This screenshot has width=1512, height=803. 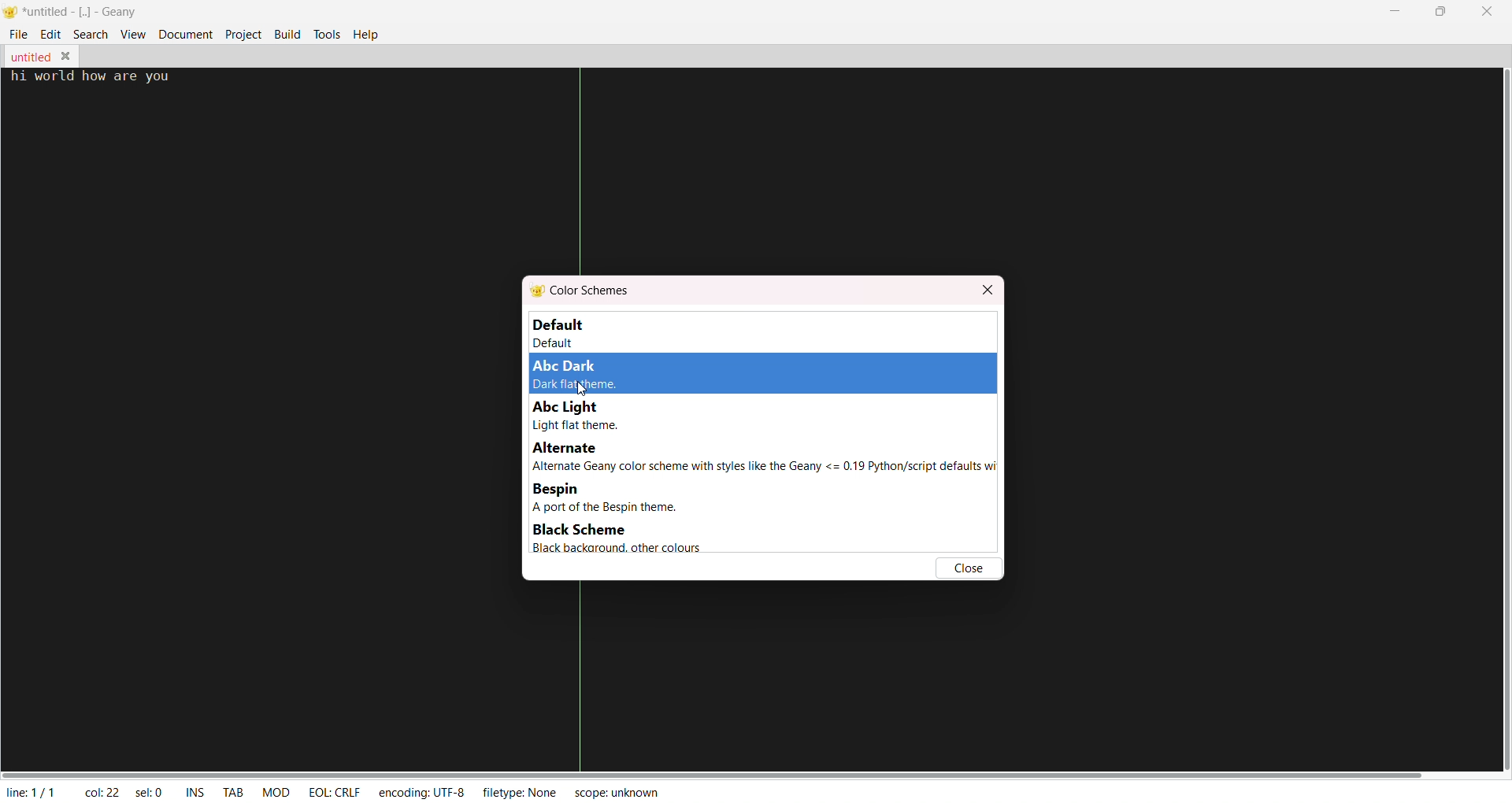 I want to click on black background, so click(x=611, y=548).